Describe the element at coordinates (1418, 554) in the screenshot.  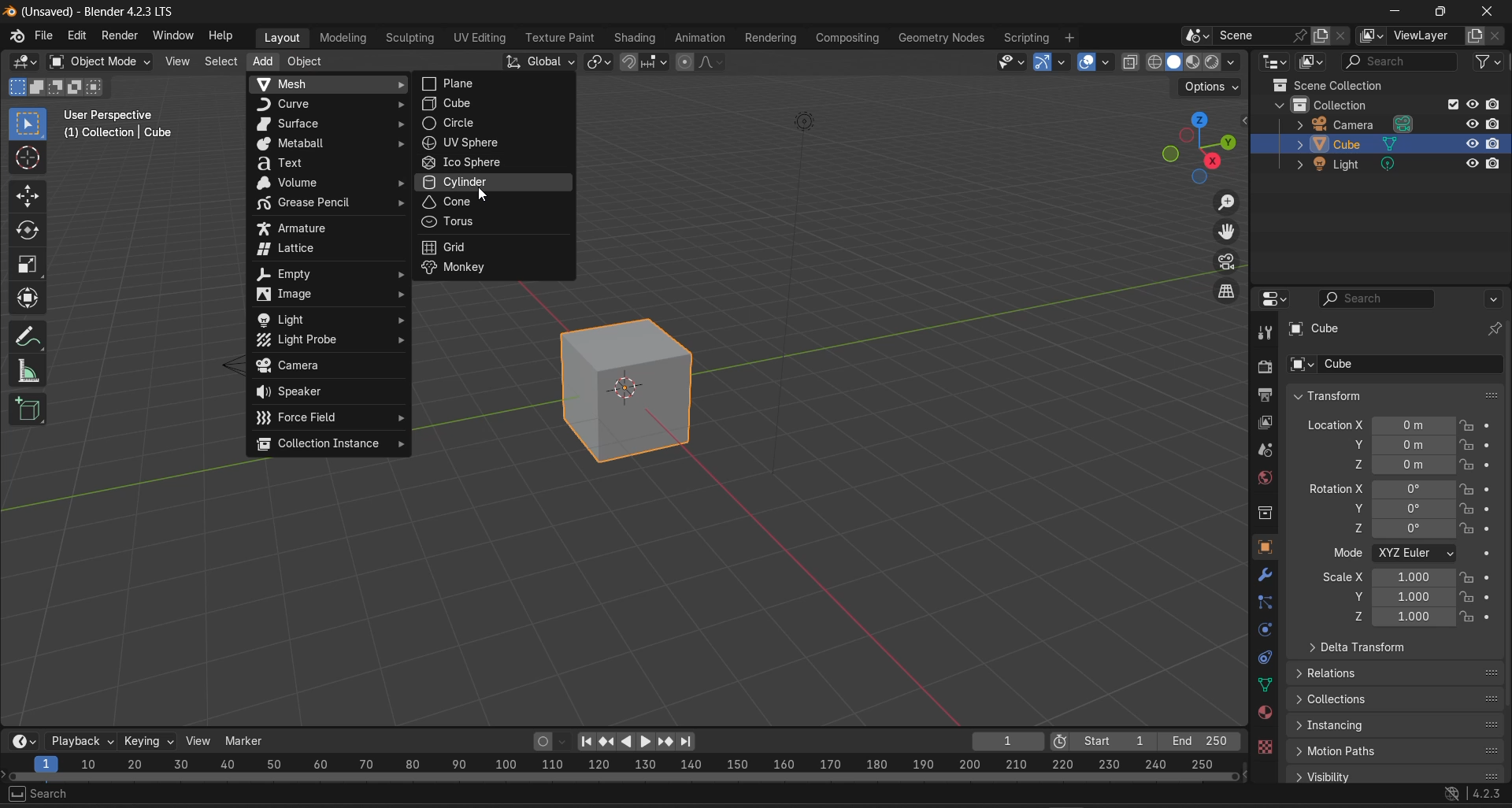
I see `rotation order` at that location.